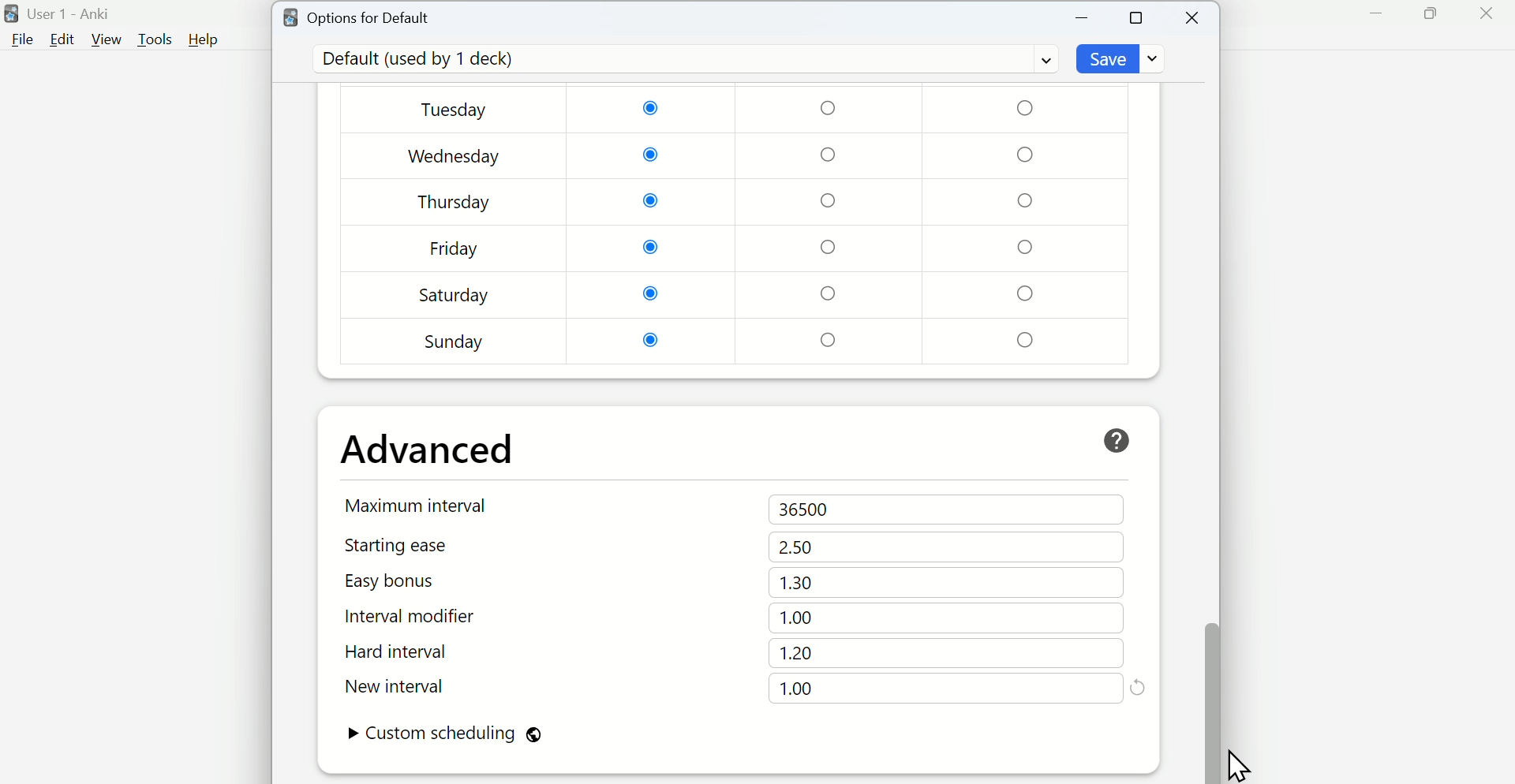  Describe the element at coordinates (1238, 760) in the screenshot. I see `cursor` at that location.